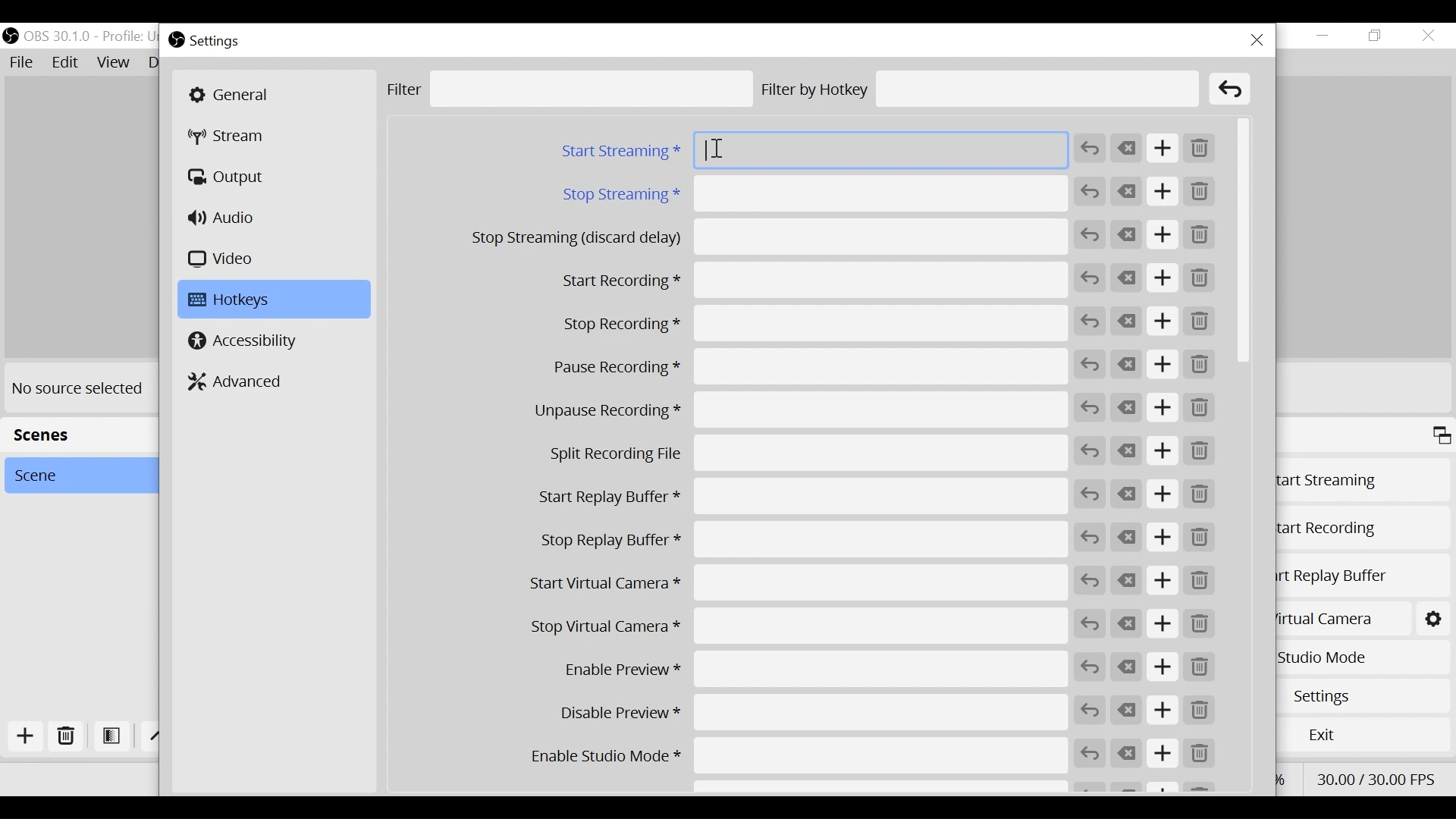  Describe the element at coordinates (799, 368) in the screenshot. I see `Pause Recording` at that location.